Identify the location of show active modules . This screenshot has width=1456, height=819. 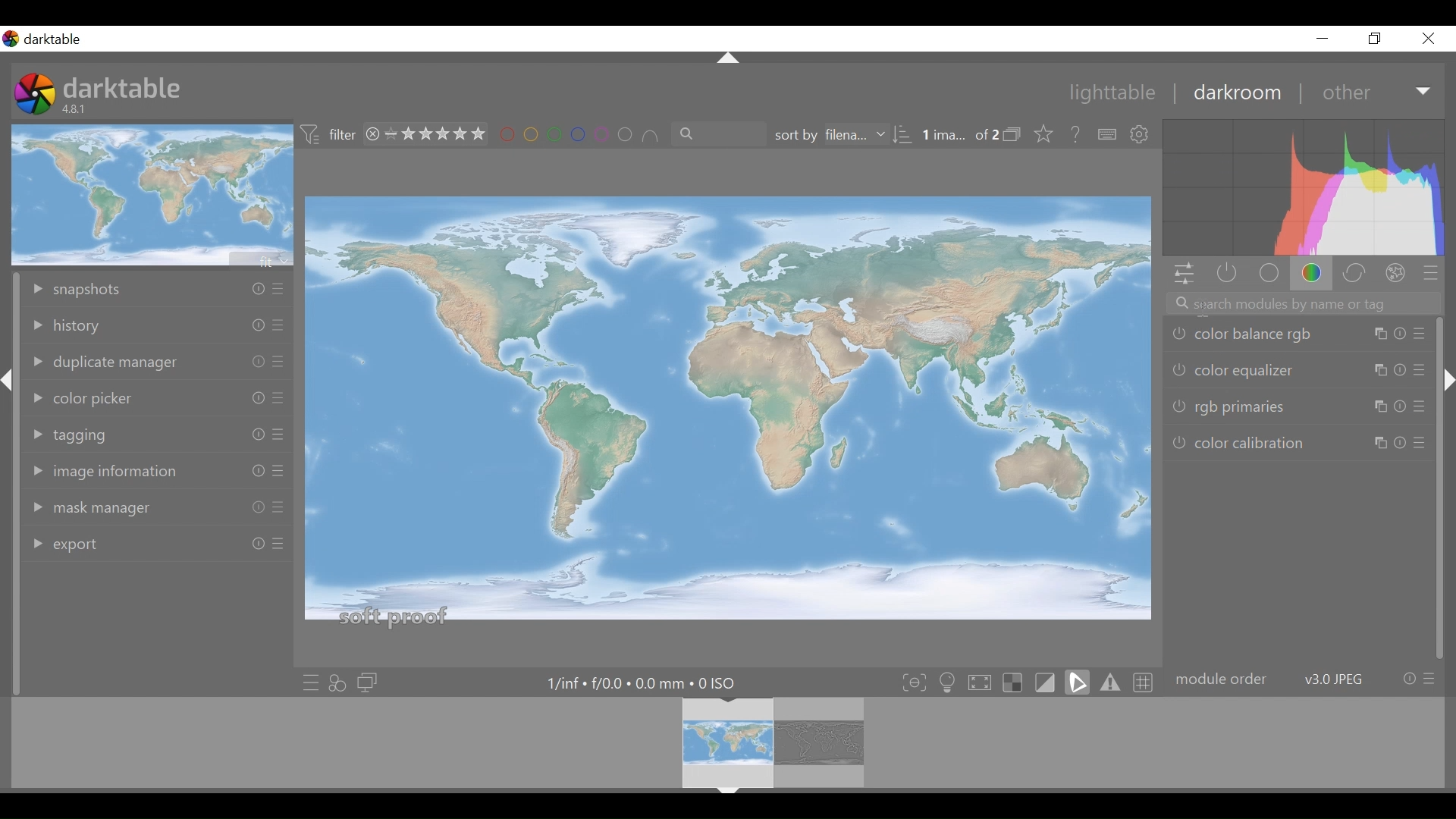
(1225, 275).